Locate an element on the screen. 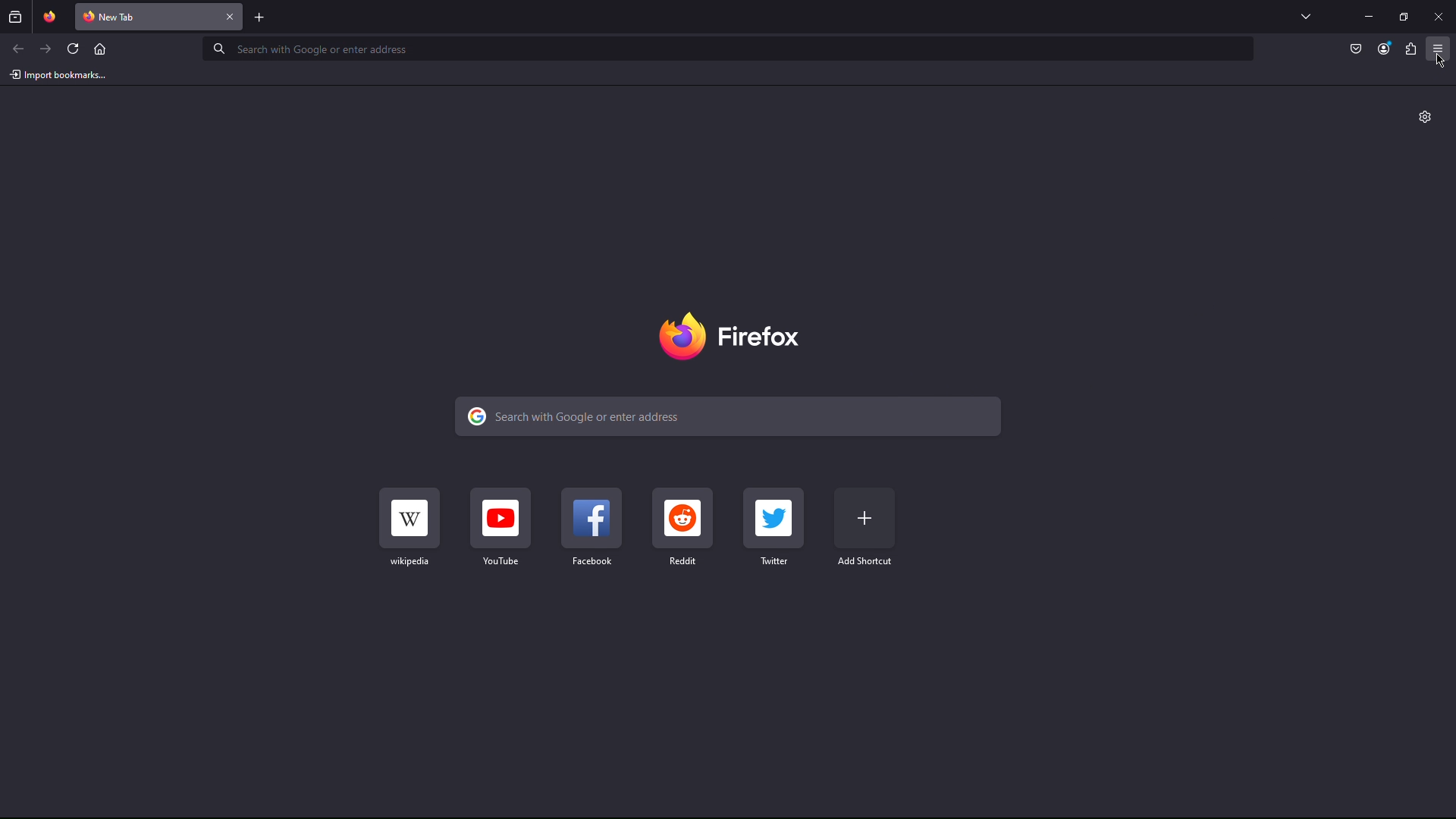 This screenshot has width=1456, height=819. Minimize is located at coordinates (1368, 16).